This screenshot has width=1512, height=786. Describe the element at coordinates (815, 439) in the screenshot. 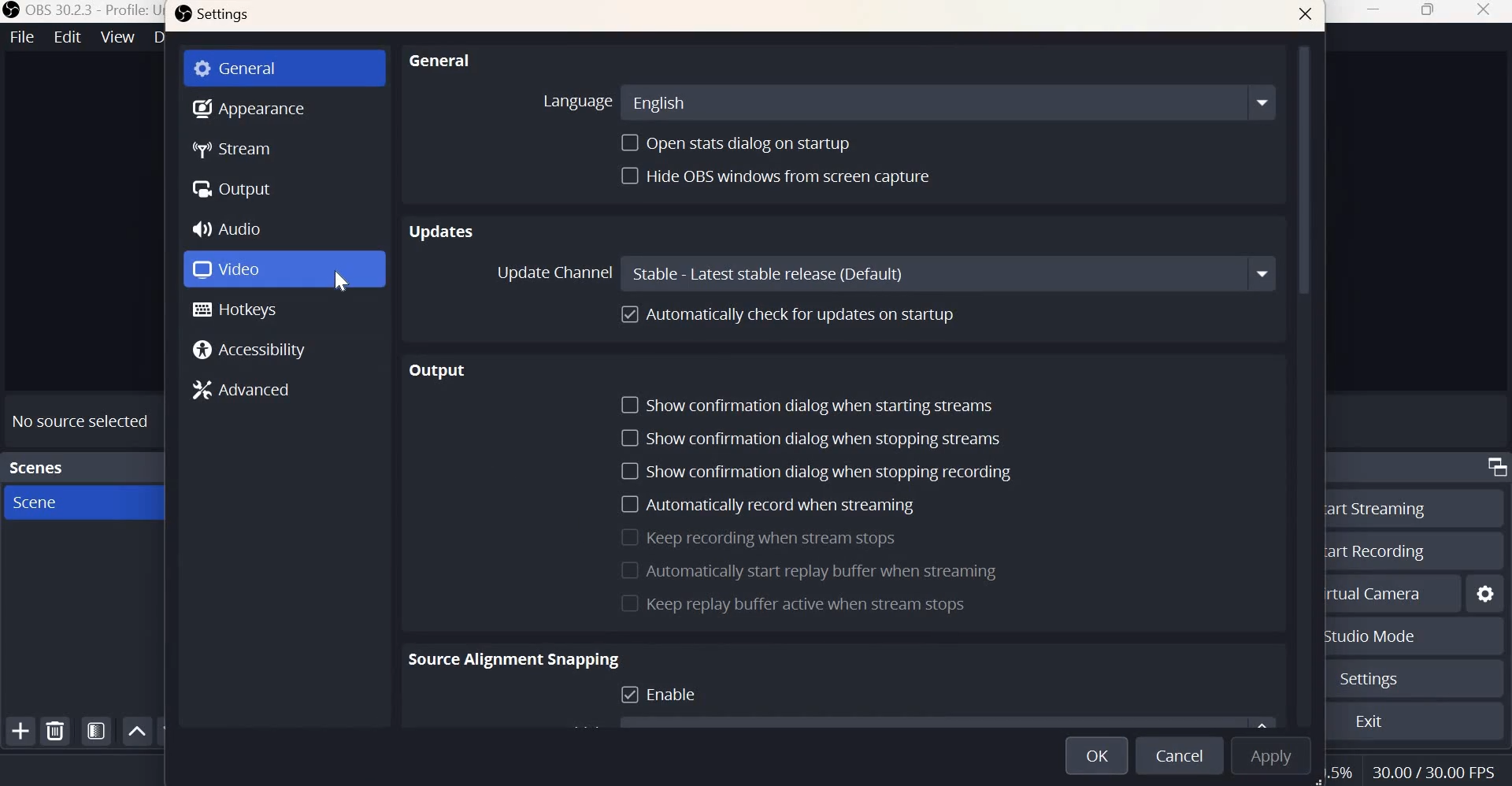

I see `Show confirmation dialog when stopping streams` at that location.